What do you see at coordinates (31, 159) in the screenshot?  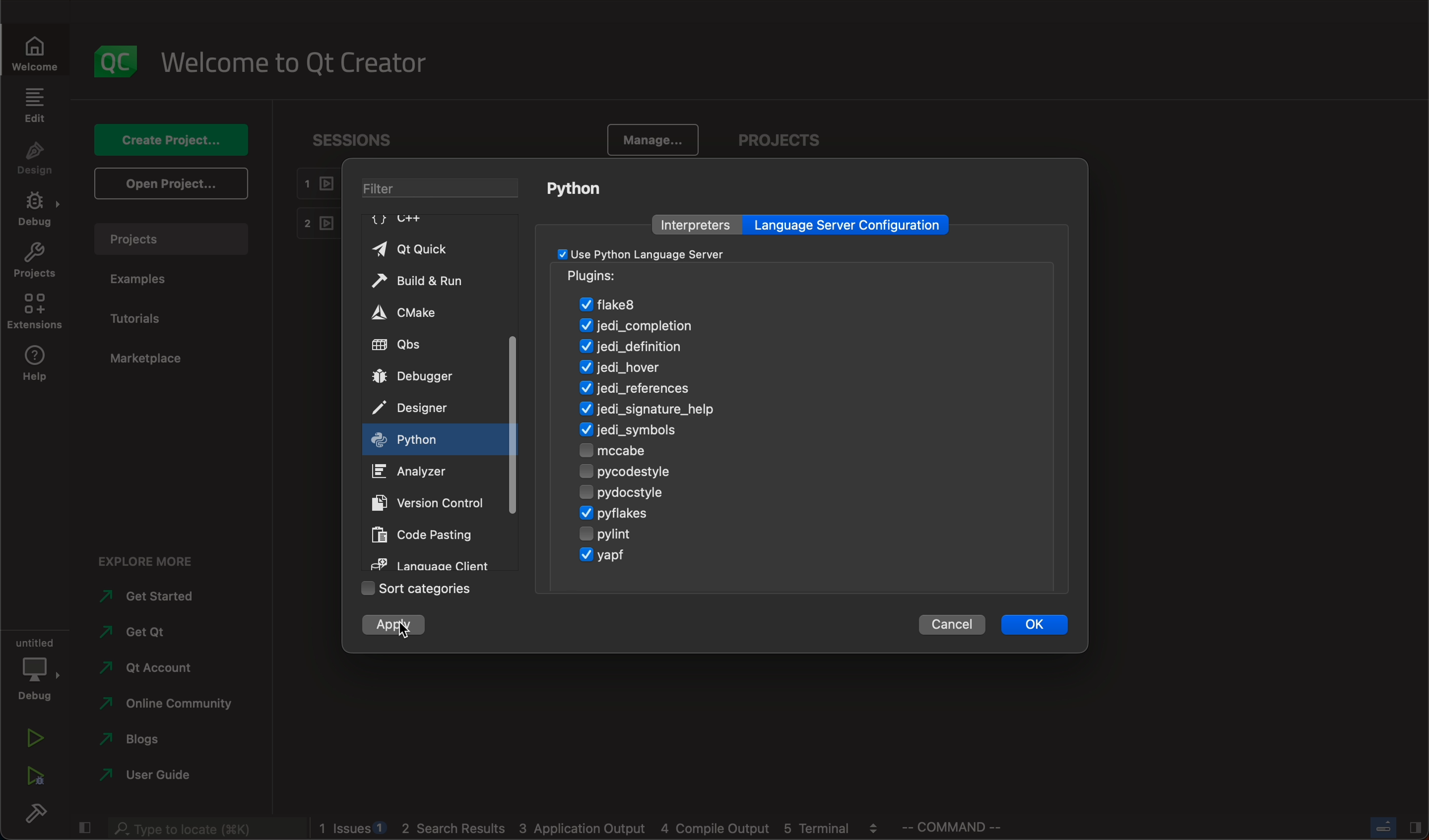 I see `design` at bounding box center [31, 159].